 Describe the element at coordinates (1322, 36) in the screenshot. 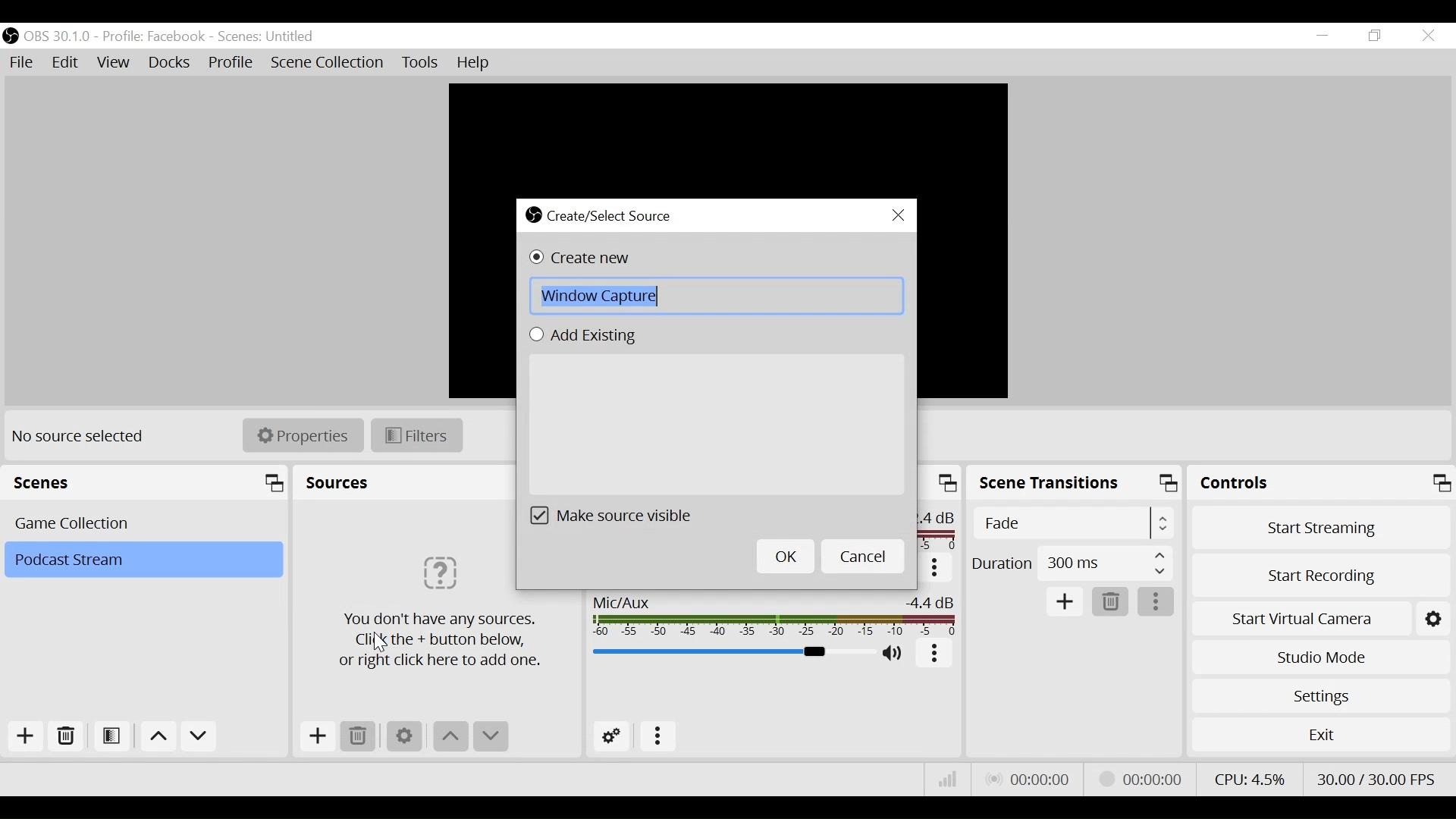

I see `minimize` at that location.